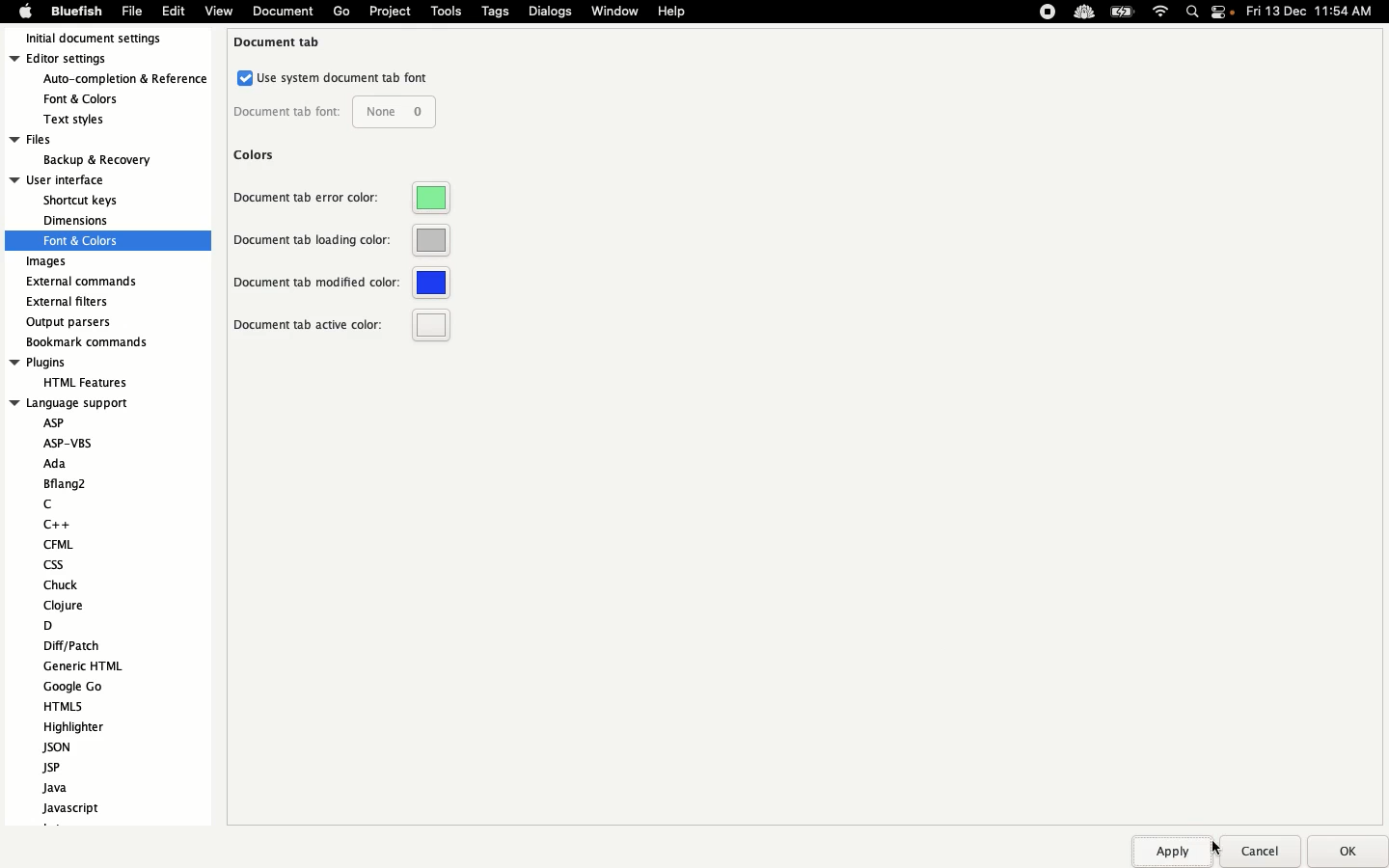 The width and height of the screenshot is (1389, 868). I want to click on Use system document tab font, so click(334, 78).